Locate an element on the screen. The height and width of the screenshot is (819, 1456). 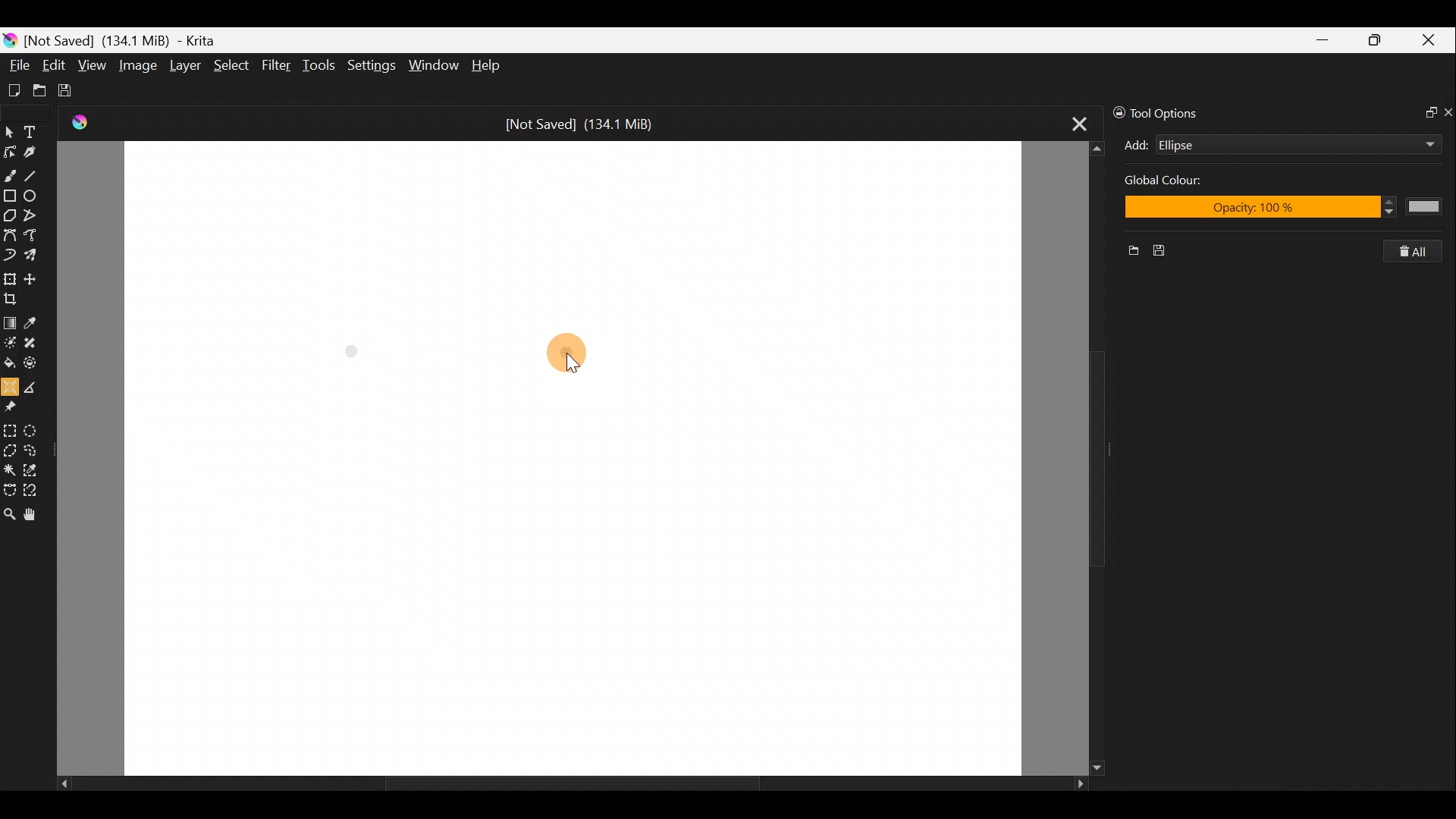
Image is located at coordinates (140, 64).